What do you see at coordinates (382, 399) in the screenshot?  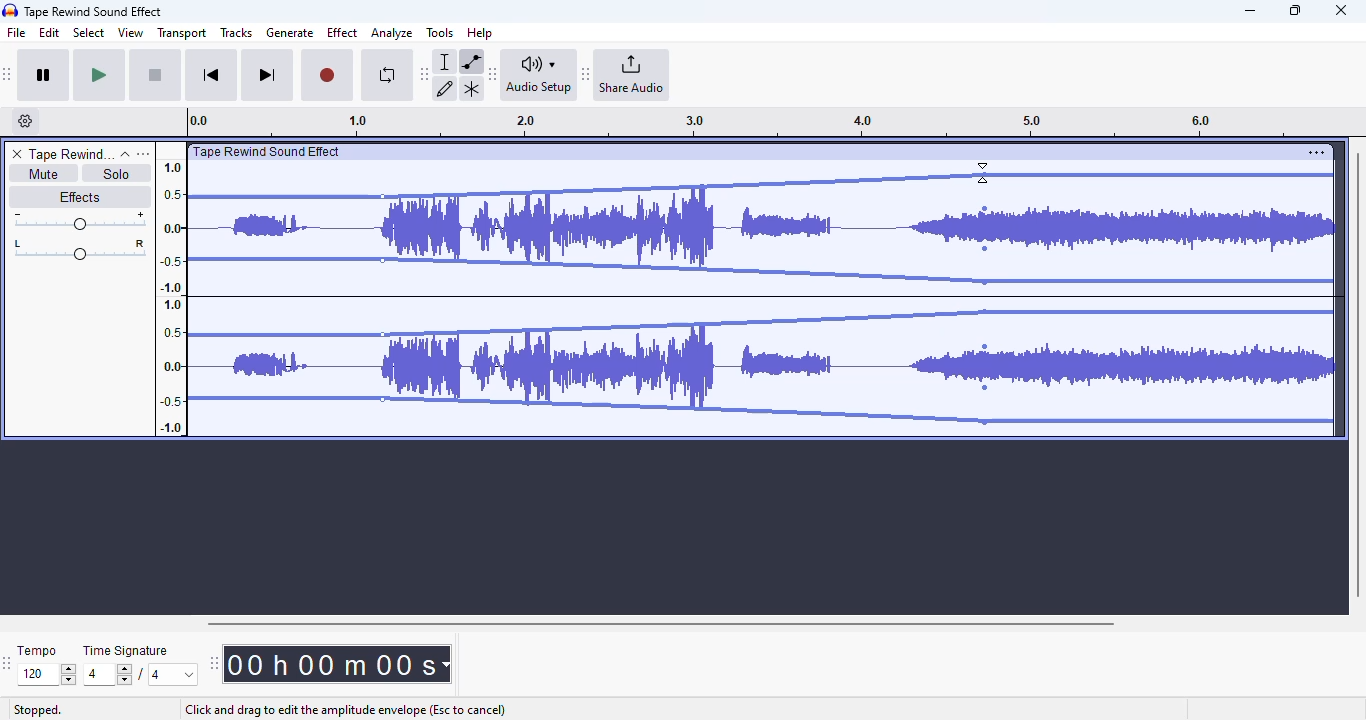 I see `control point` at bounding box center [382, 399].